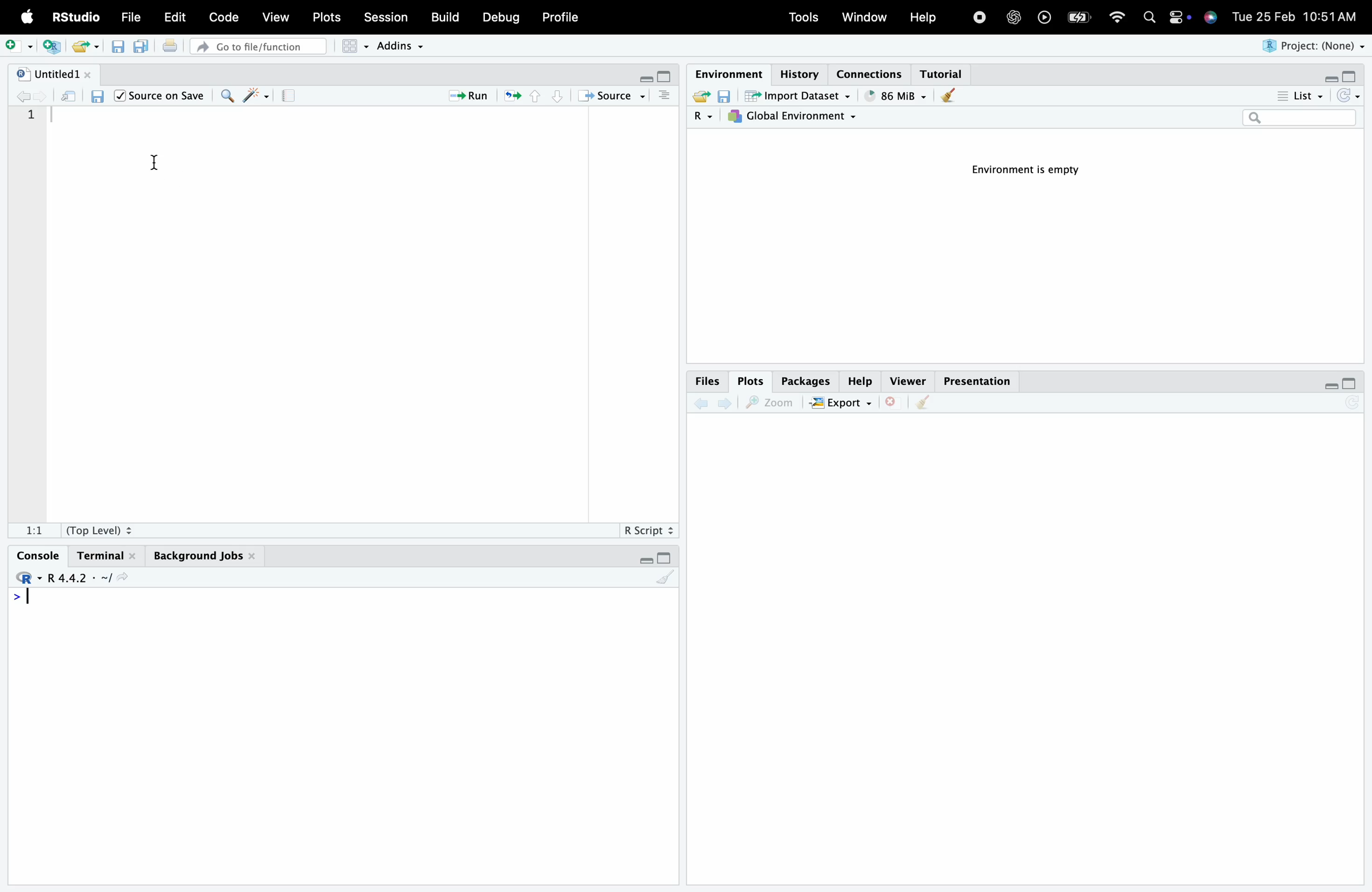  I want to click on Files, so click(706, 383).